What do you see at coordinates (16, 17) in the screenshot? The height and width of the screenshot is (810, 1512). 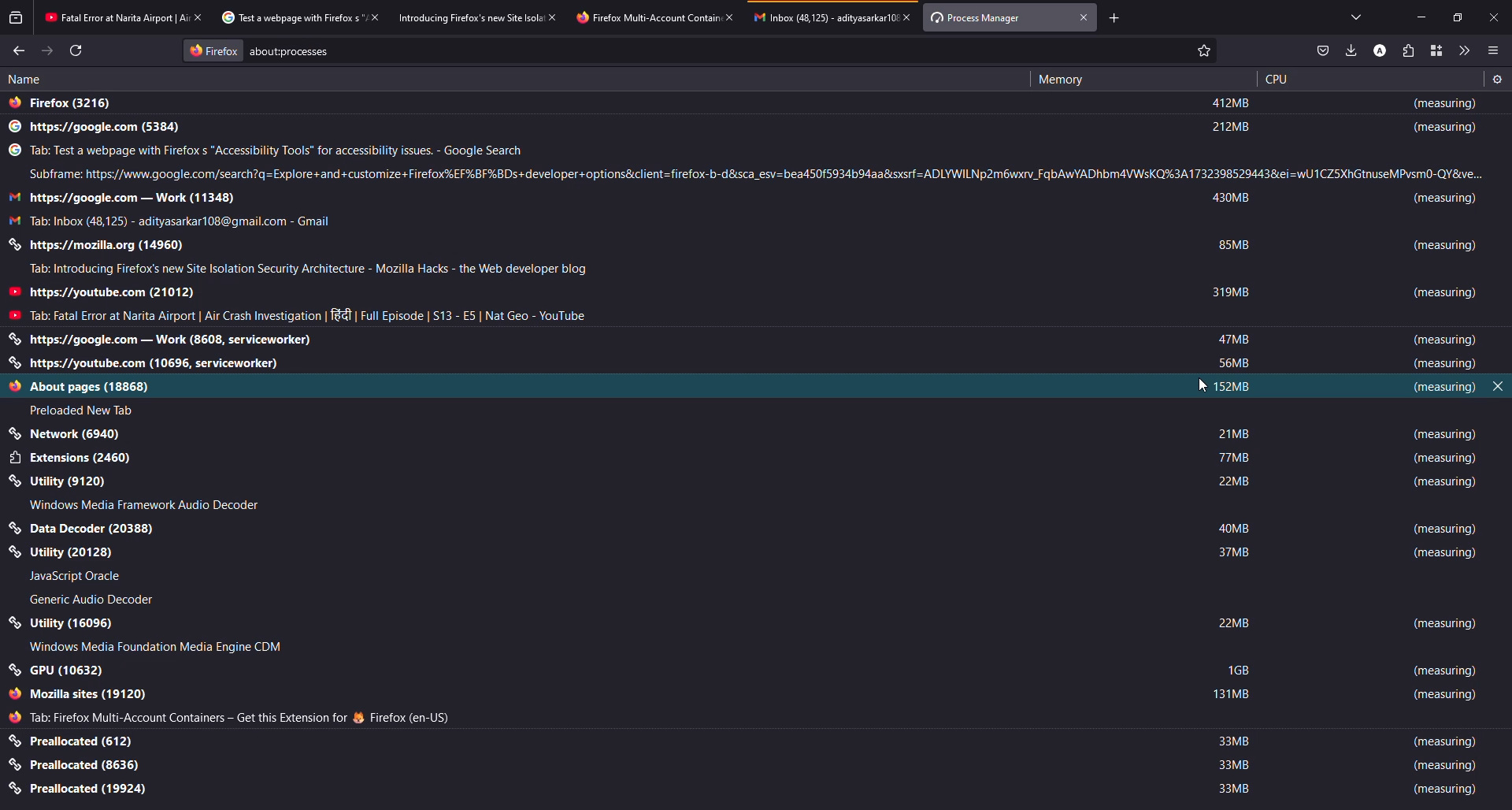 I see `view recent` at bounding box center [16, 17].